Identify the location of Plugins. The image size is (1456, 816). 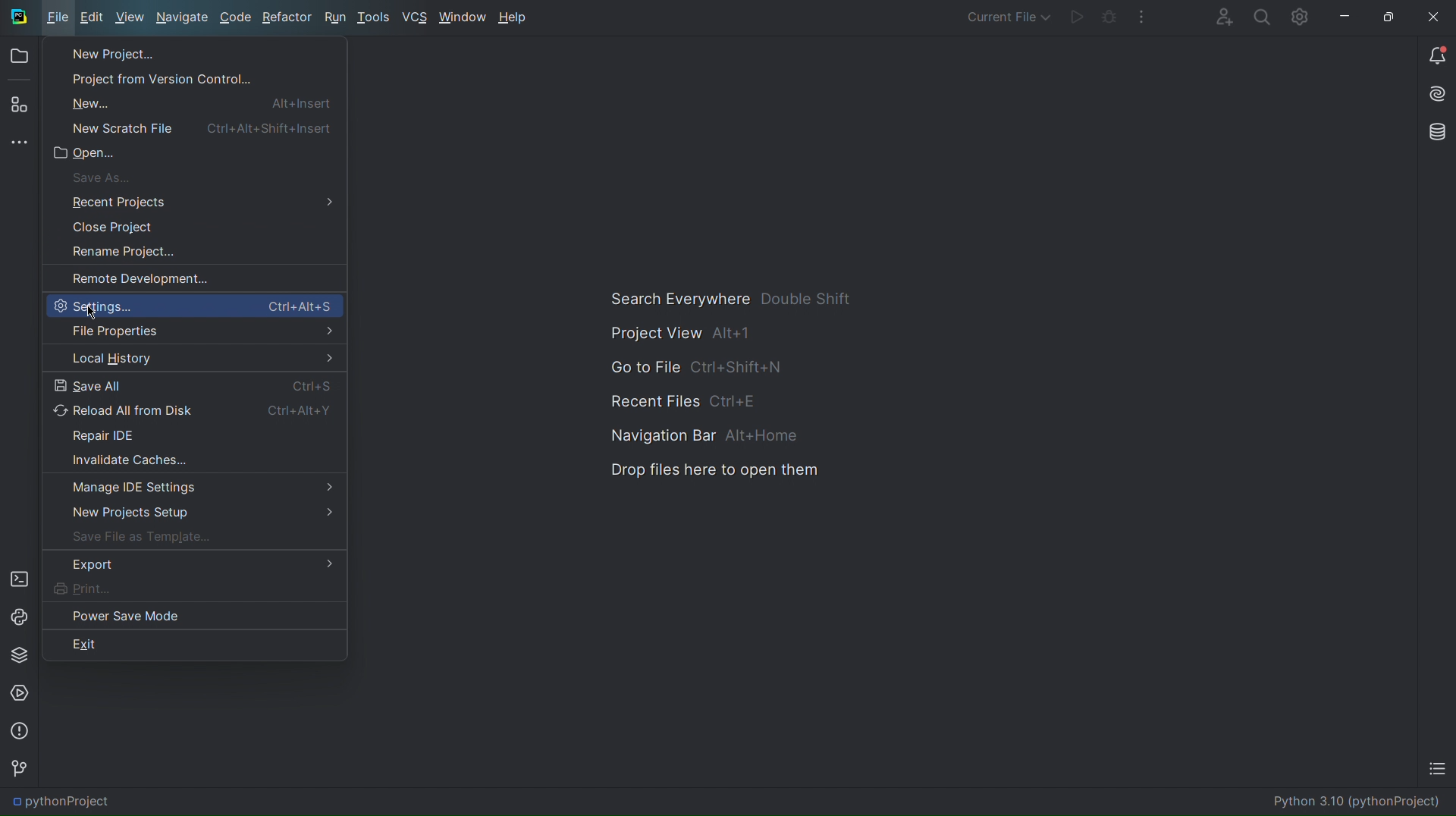
(19, 107).